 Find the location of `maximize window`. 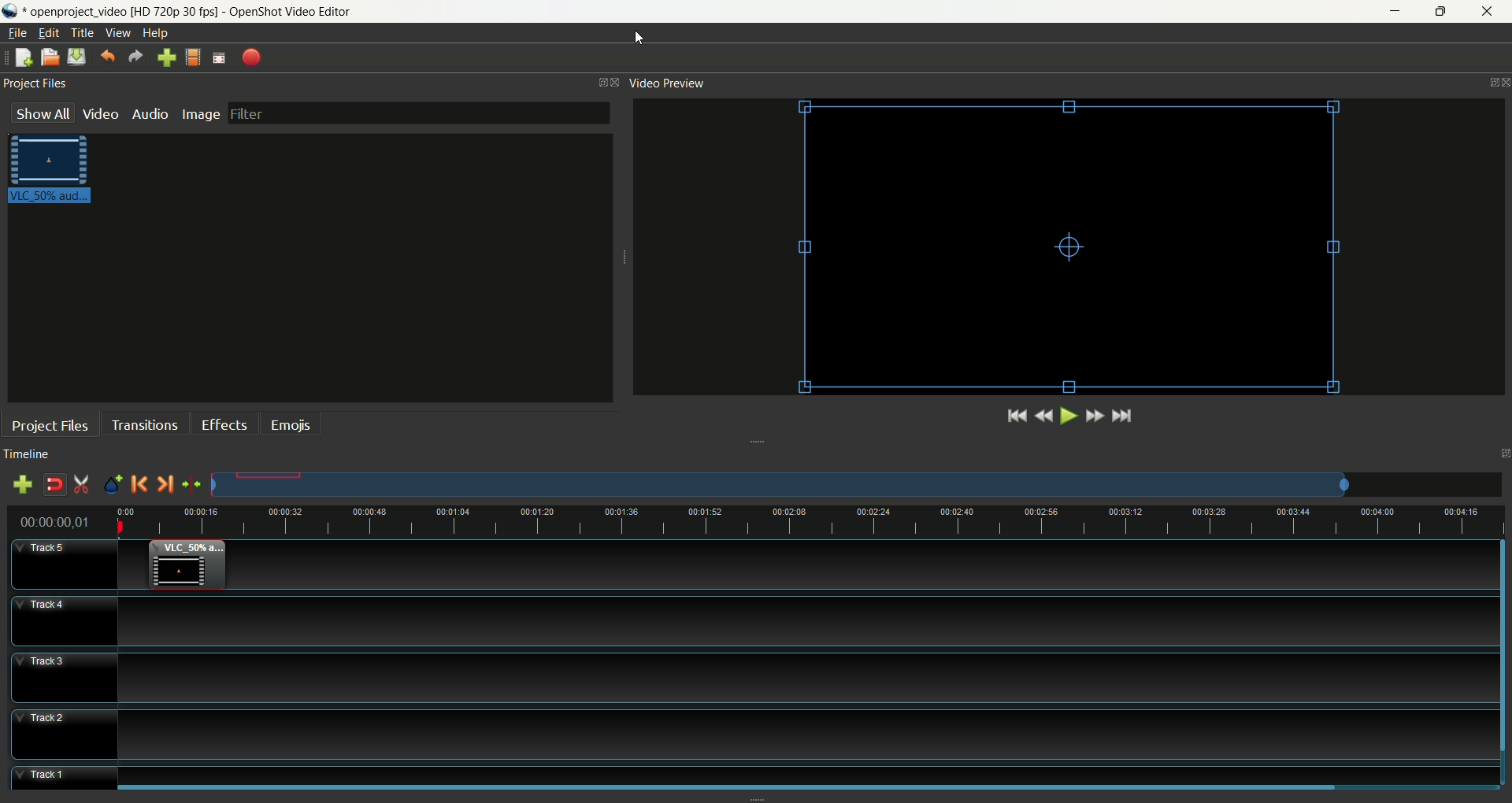

maximize window is located at coordinates (599, 83).